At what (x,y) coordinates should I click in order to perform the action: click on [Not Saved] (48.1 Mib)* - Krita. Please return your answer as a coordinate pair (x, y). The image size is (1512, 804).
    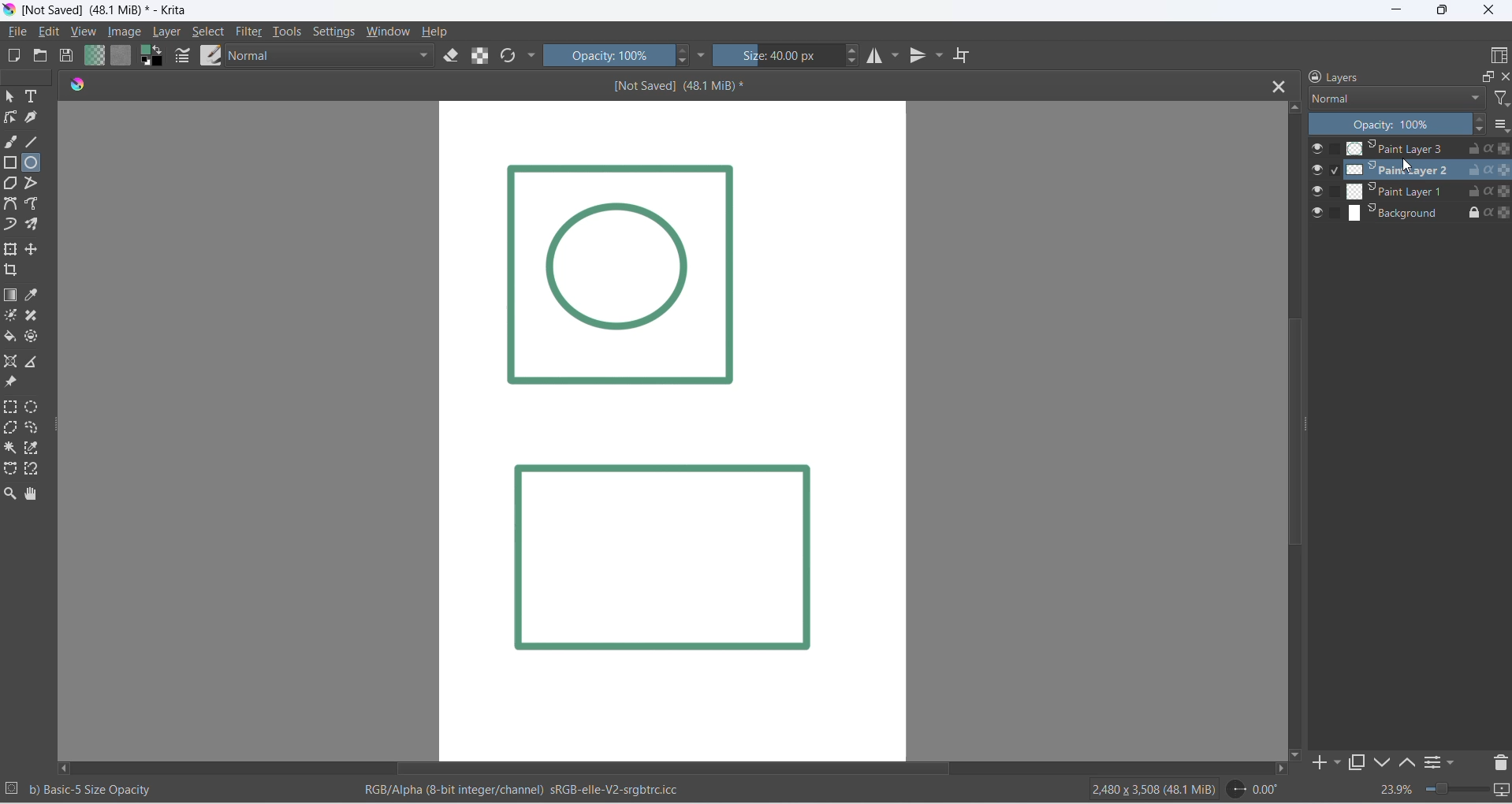
    Looking at the image, I should click on (114, 11).